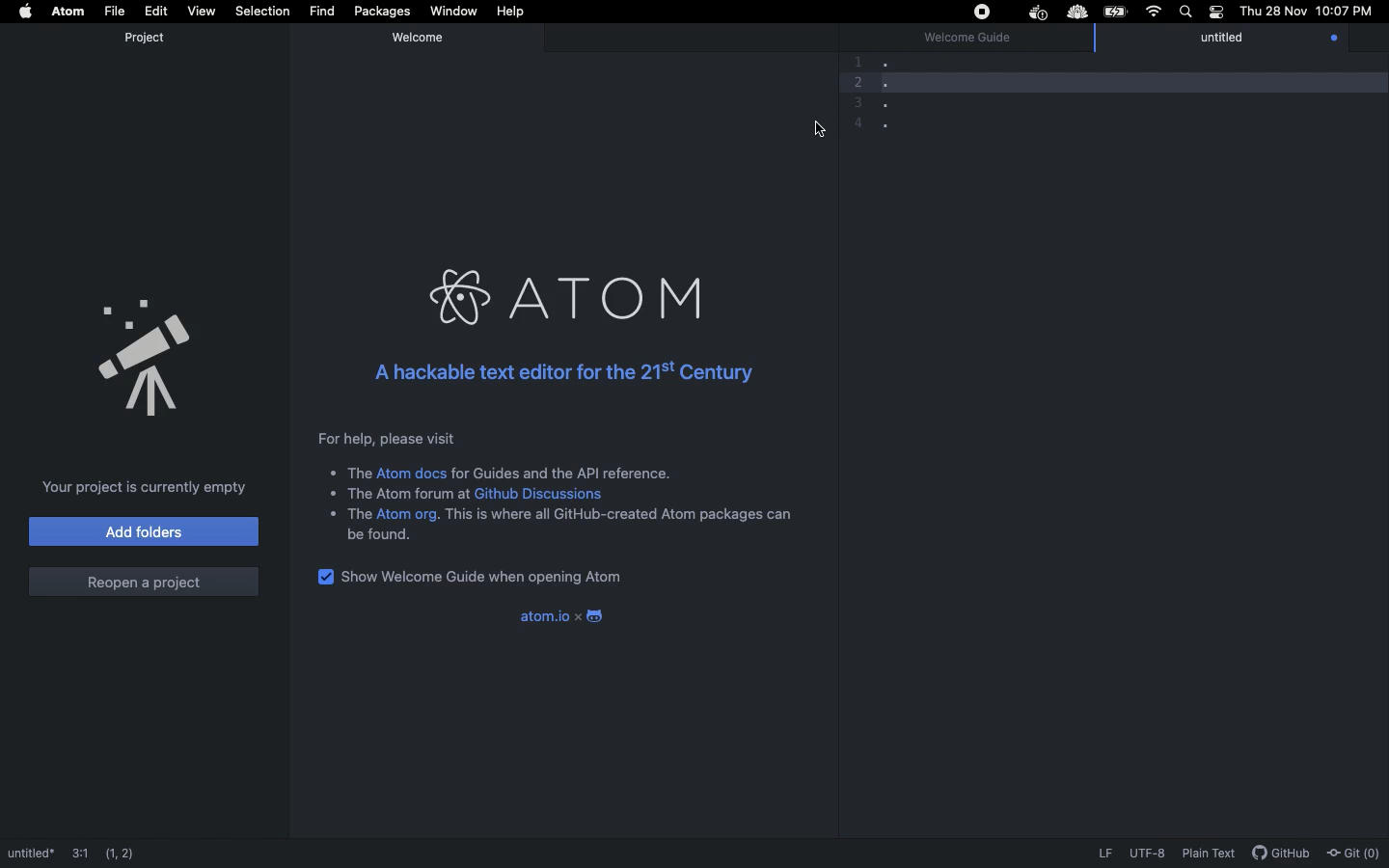 The width and height of the screenshot is (1389, 868). I want to click on update, so click(1332, 39).